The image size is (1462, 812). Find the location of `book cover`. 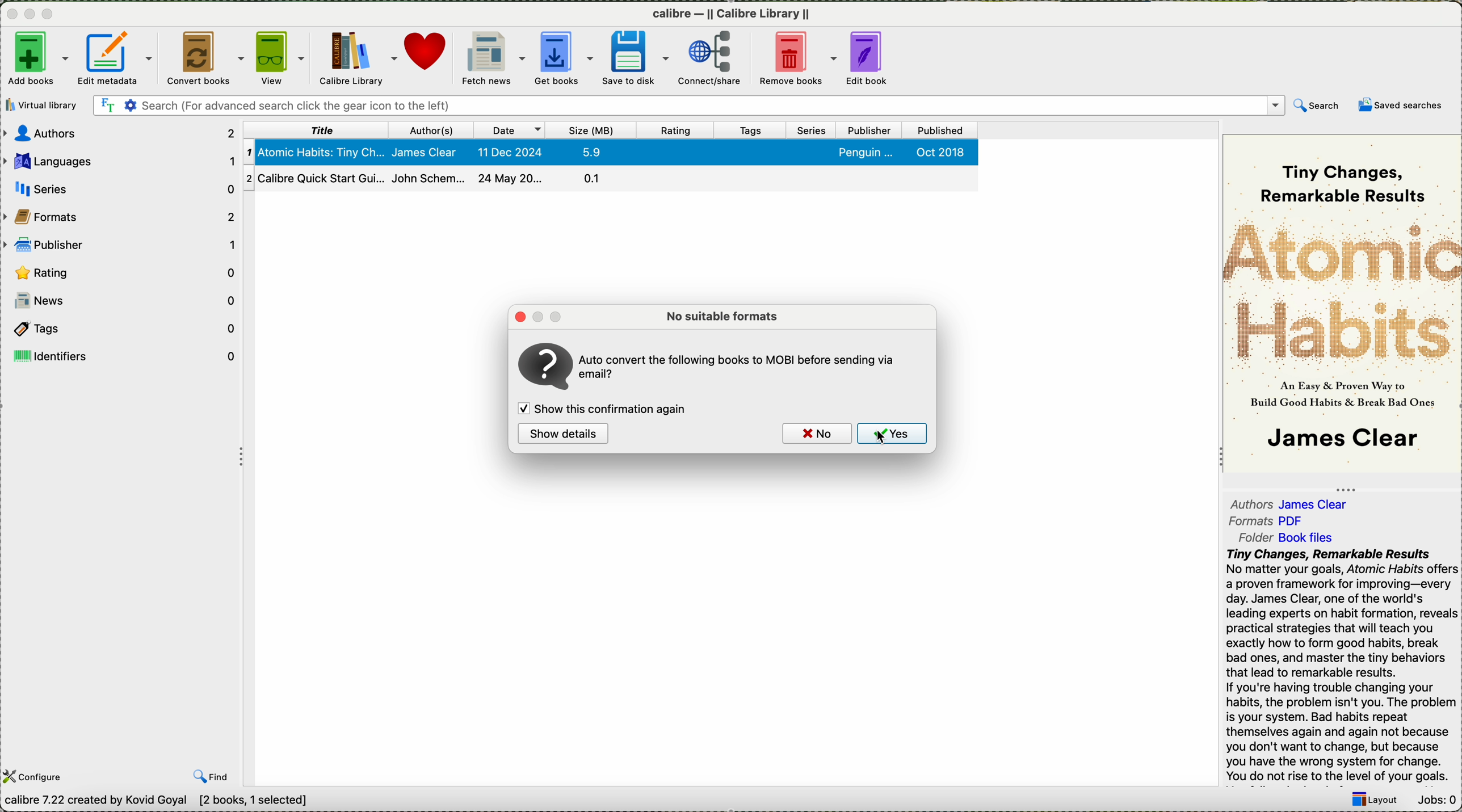

book cover is located at coordinates (1343, 305).